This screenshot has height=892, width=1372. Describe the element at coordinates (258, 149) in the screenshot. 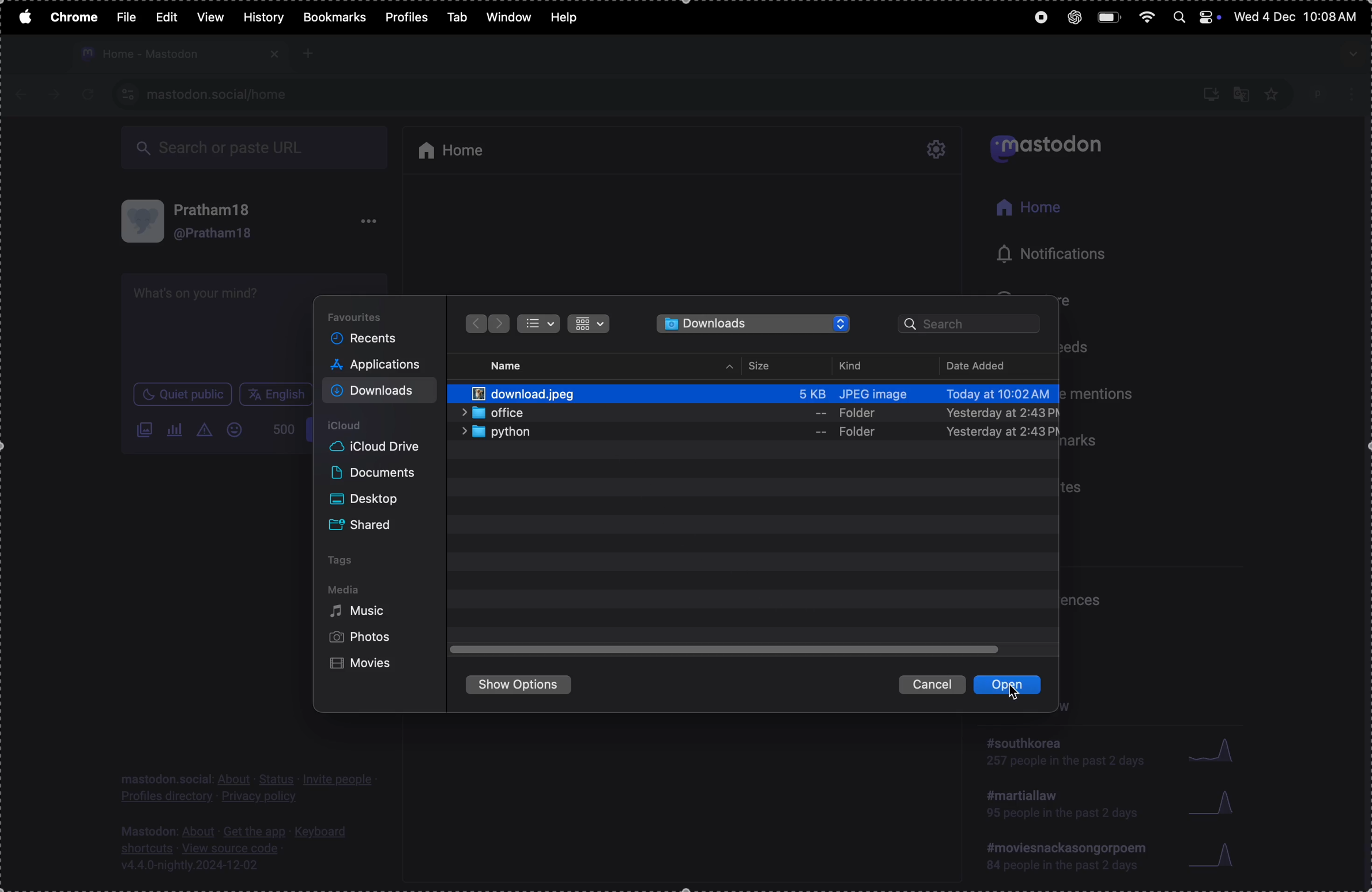

I see `Search box url` at that location.